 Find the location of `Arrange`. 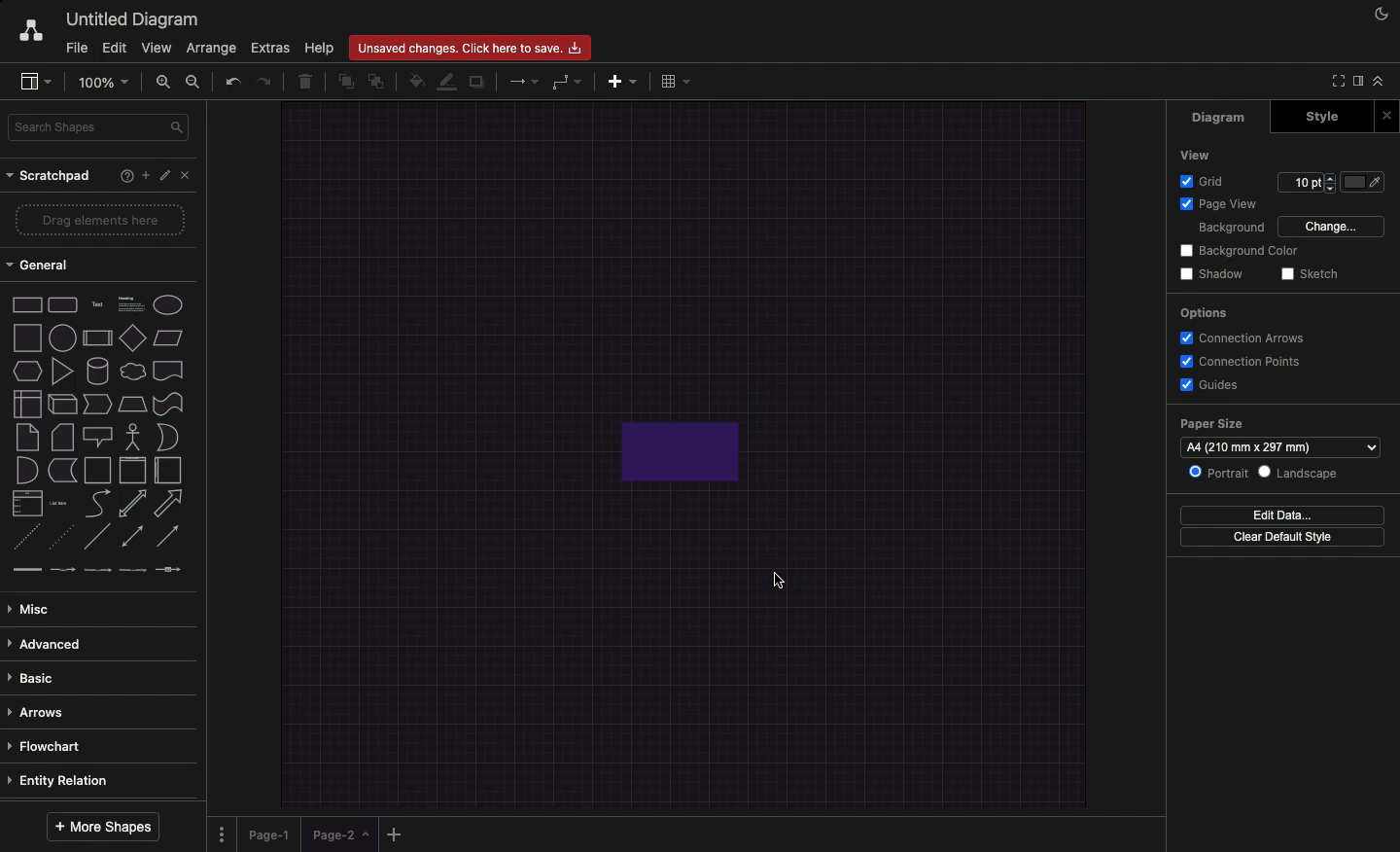

Arrange is located at coordinates (213, 50).